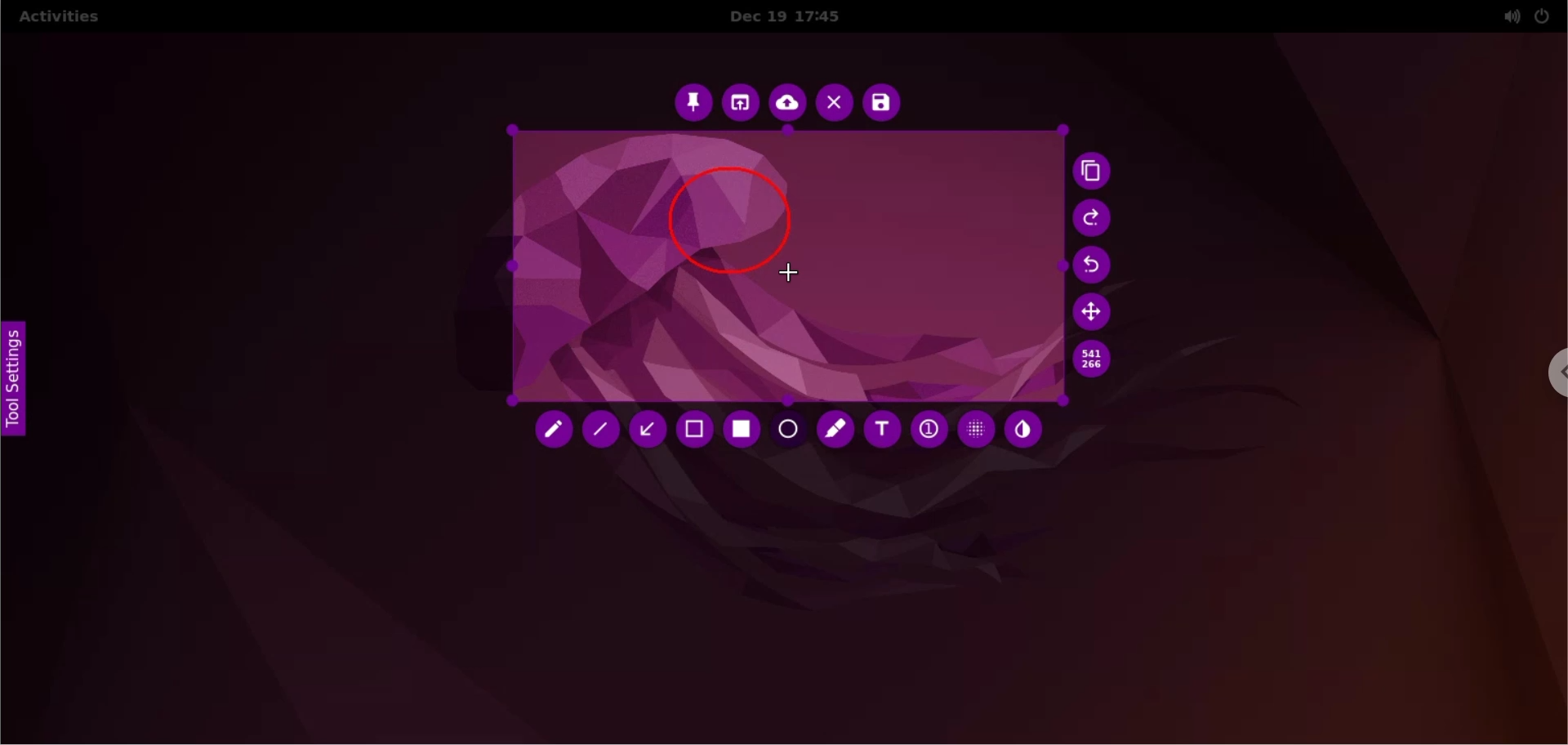 The image size is (1568, 745). Describe the element at coordinates (604, 433) in the screenshot. I see `line tool` at that location.